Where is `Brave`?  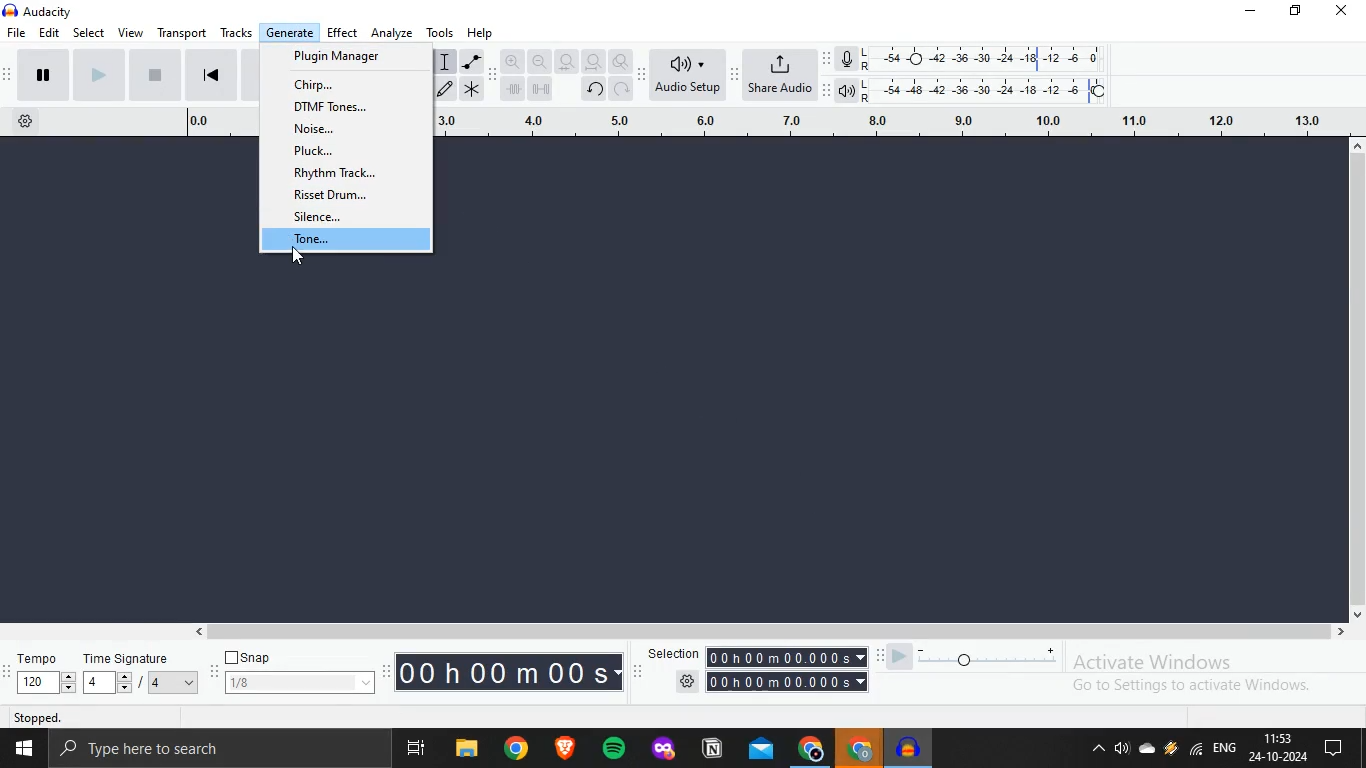 Brave is located at coordinates (569, 748).